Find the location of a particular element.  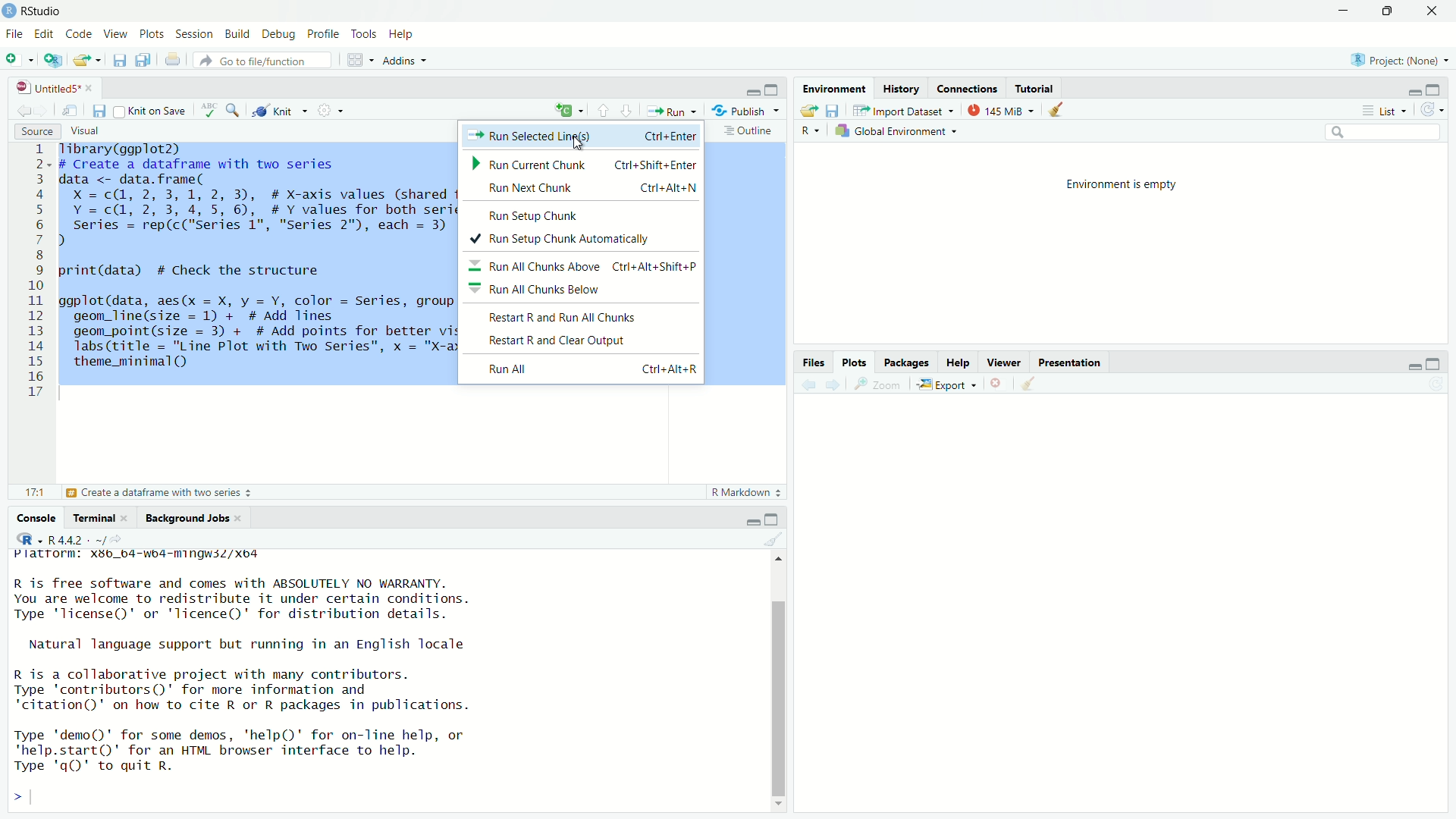

Scrollbar  is located at coordinates (779, 686).